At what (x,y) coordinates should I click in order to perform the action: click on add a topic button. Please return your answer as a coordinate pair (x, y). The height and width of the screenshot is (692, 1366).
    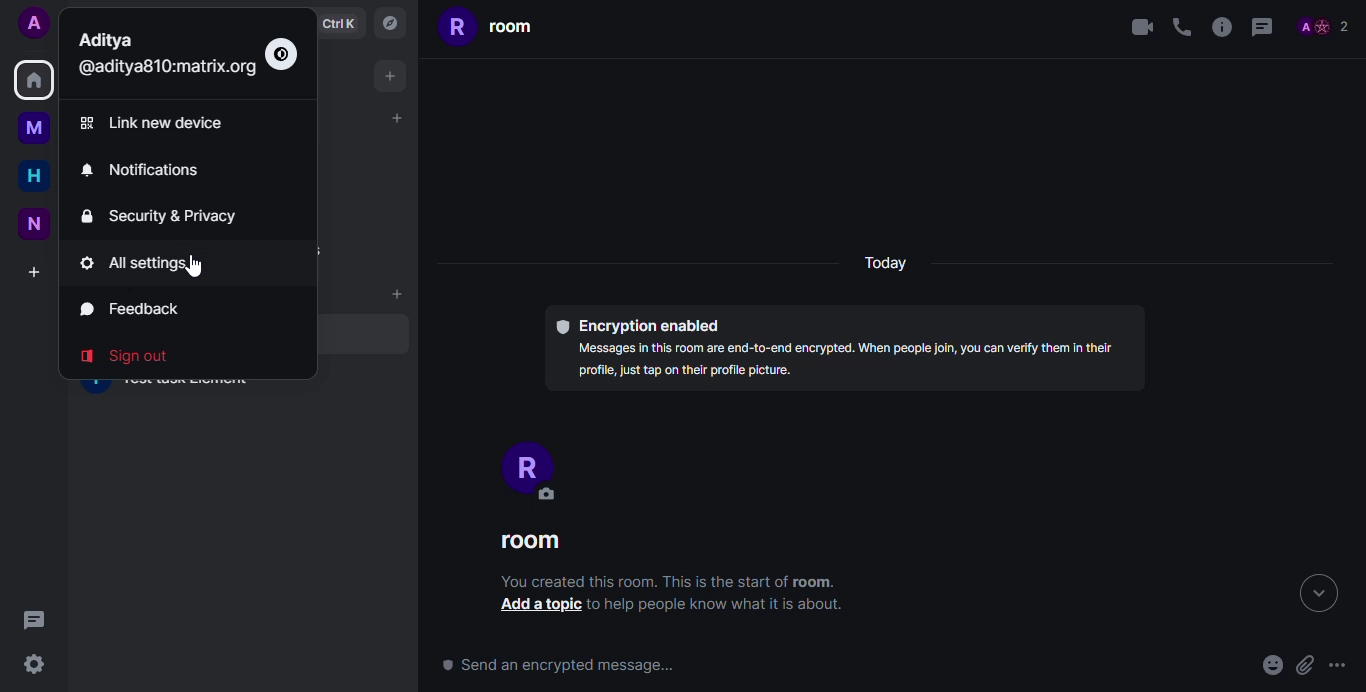
    Looking at the image, I should click on (538, 605).